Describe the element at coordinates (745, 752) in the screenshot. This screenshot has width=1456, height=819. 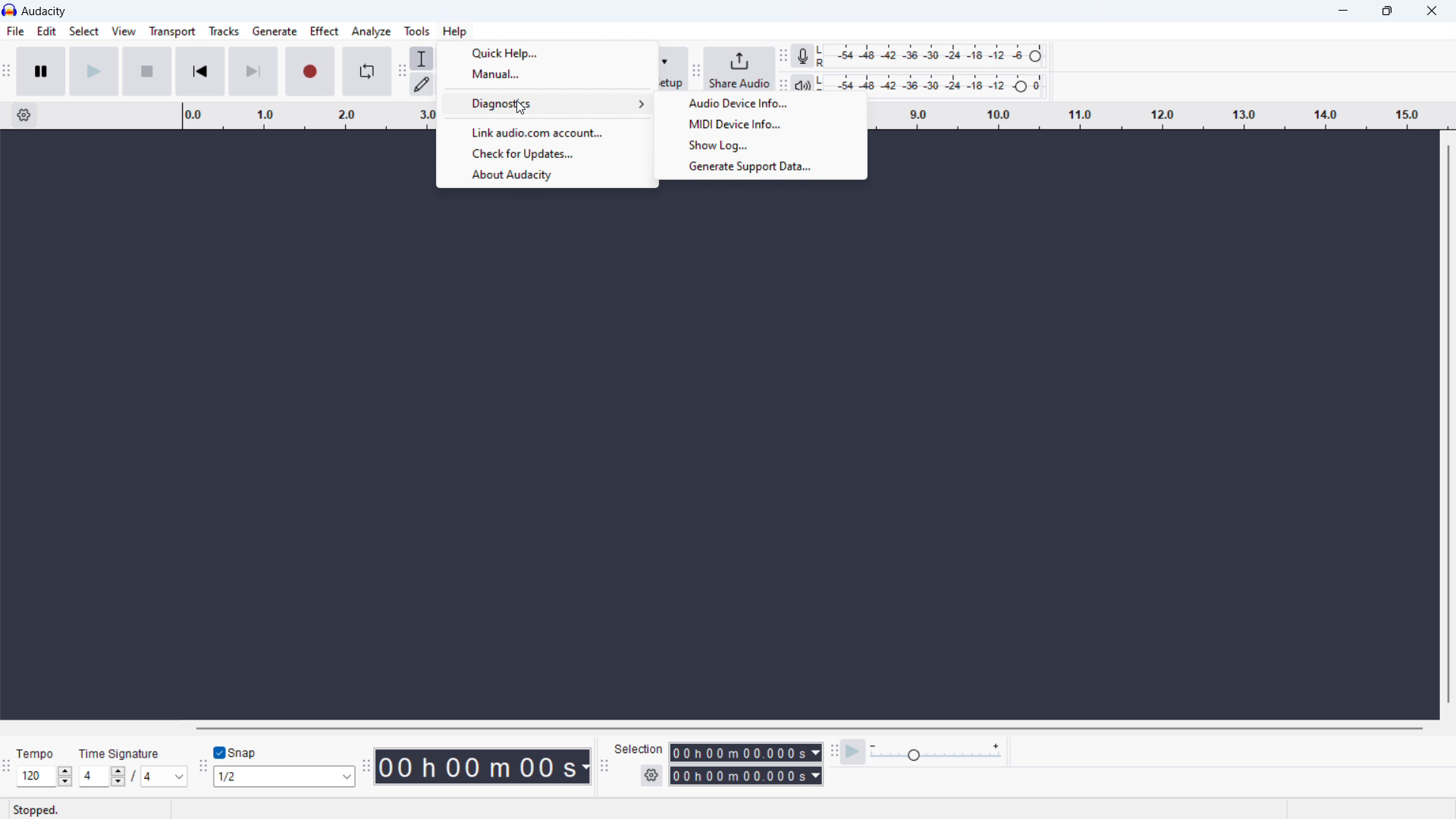
I see `selection start` at that location.